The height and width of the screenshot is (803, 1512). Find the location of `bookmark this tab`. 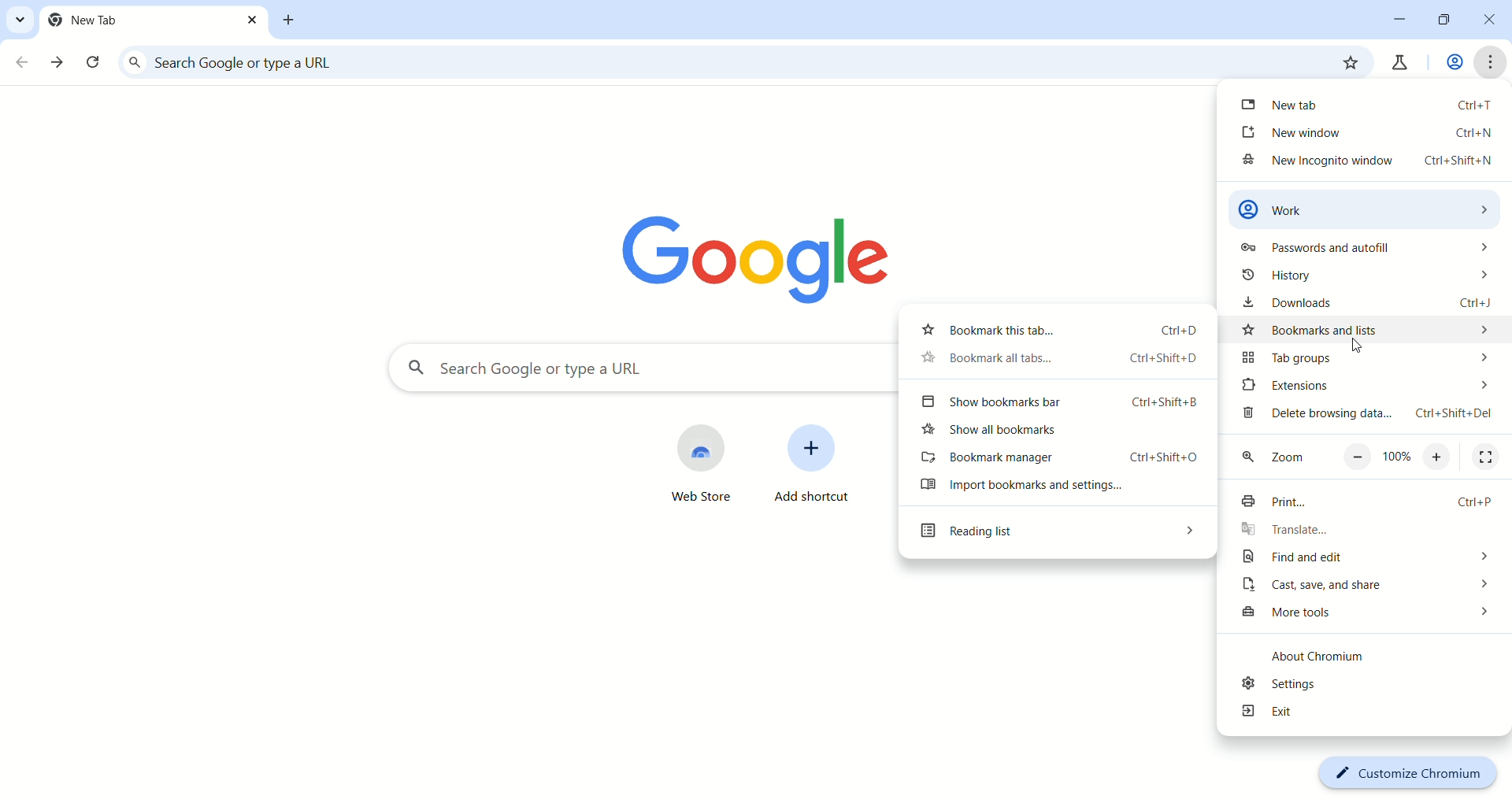

bookmark this tab is located at coordinates (1349, 62).